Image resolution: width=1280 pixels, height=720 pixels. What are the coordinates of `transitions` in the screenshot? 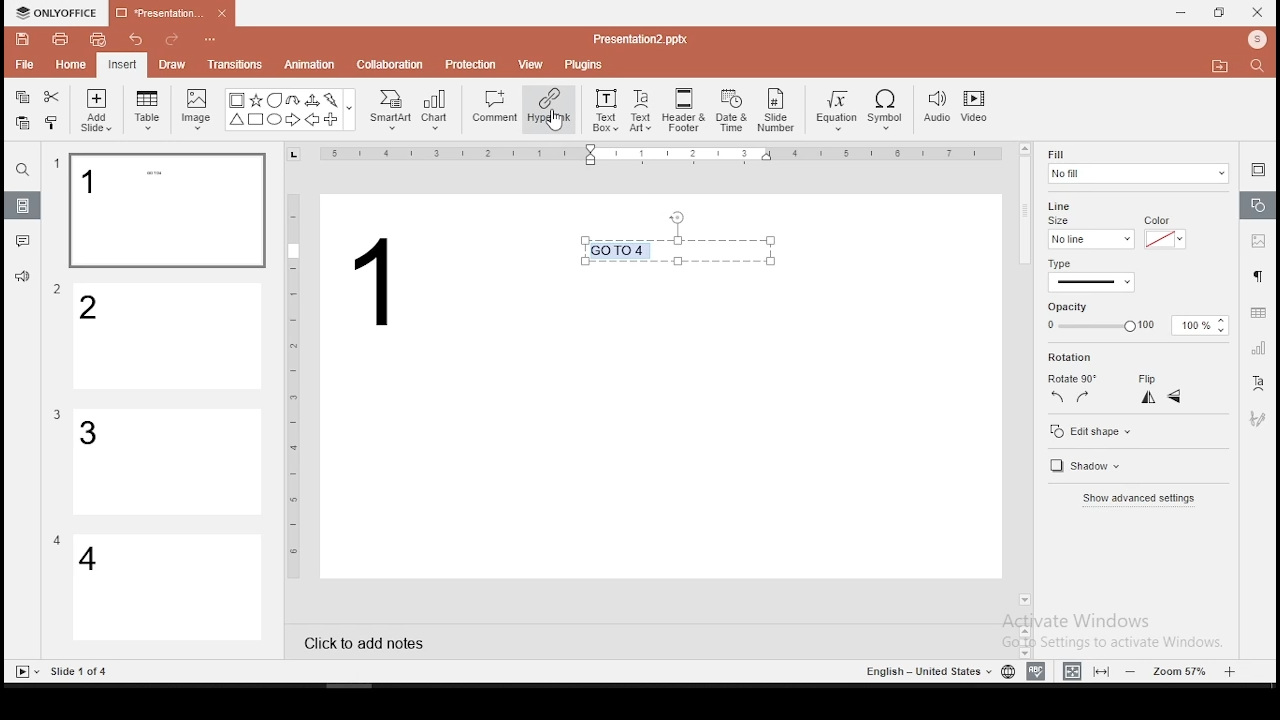 It's located at (234, 64).